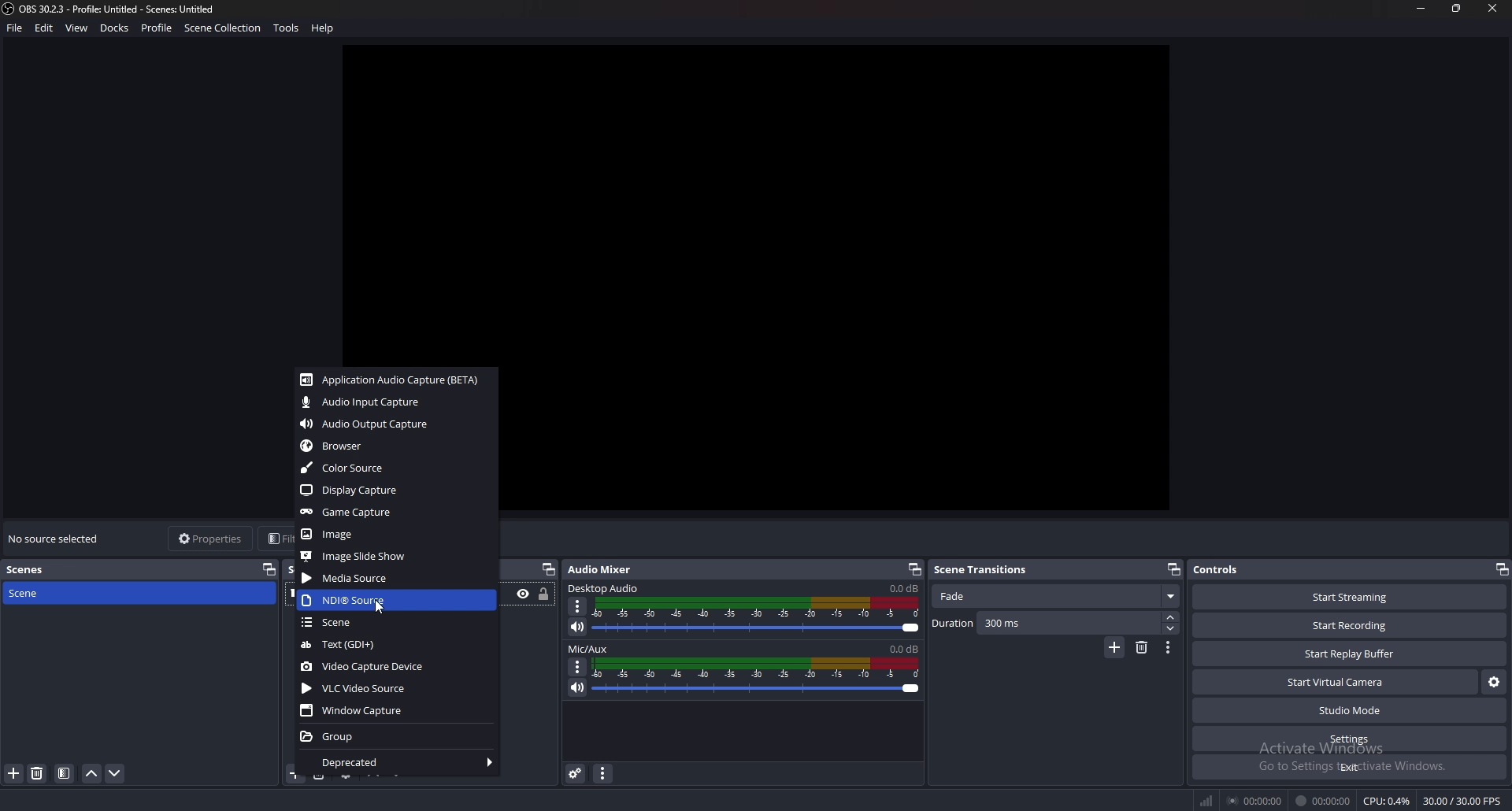 This screenshot has width=1512, height=811. Describe the element at coordinates (914, 569) in the screenshot. I see `pop out` at that location.